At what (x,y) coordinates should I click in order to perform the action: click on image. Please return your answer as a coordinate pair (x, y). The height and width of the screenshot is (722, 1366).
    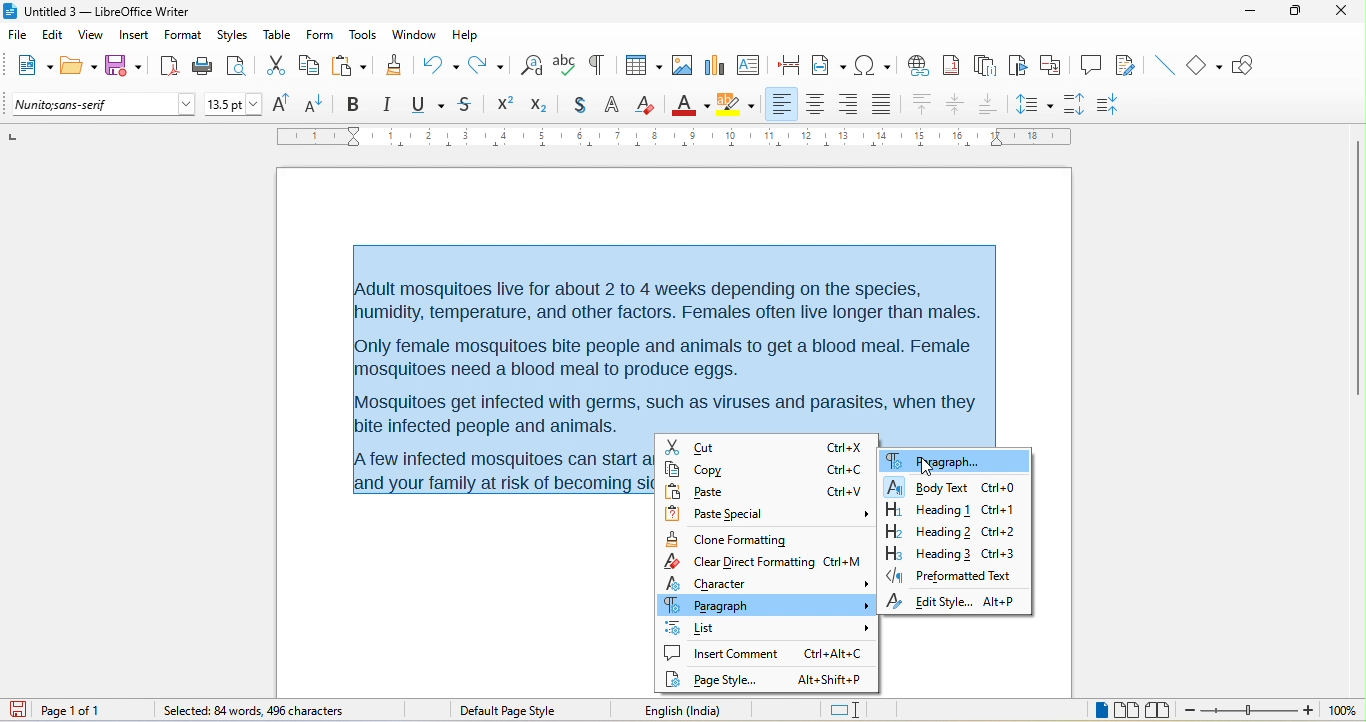
    Looking at the image, I should click on (681, 65).